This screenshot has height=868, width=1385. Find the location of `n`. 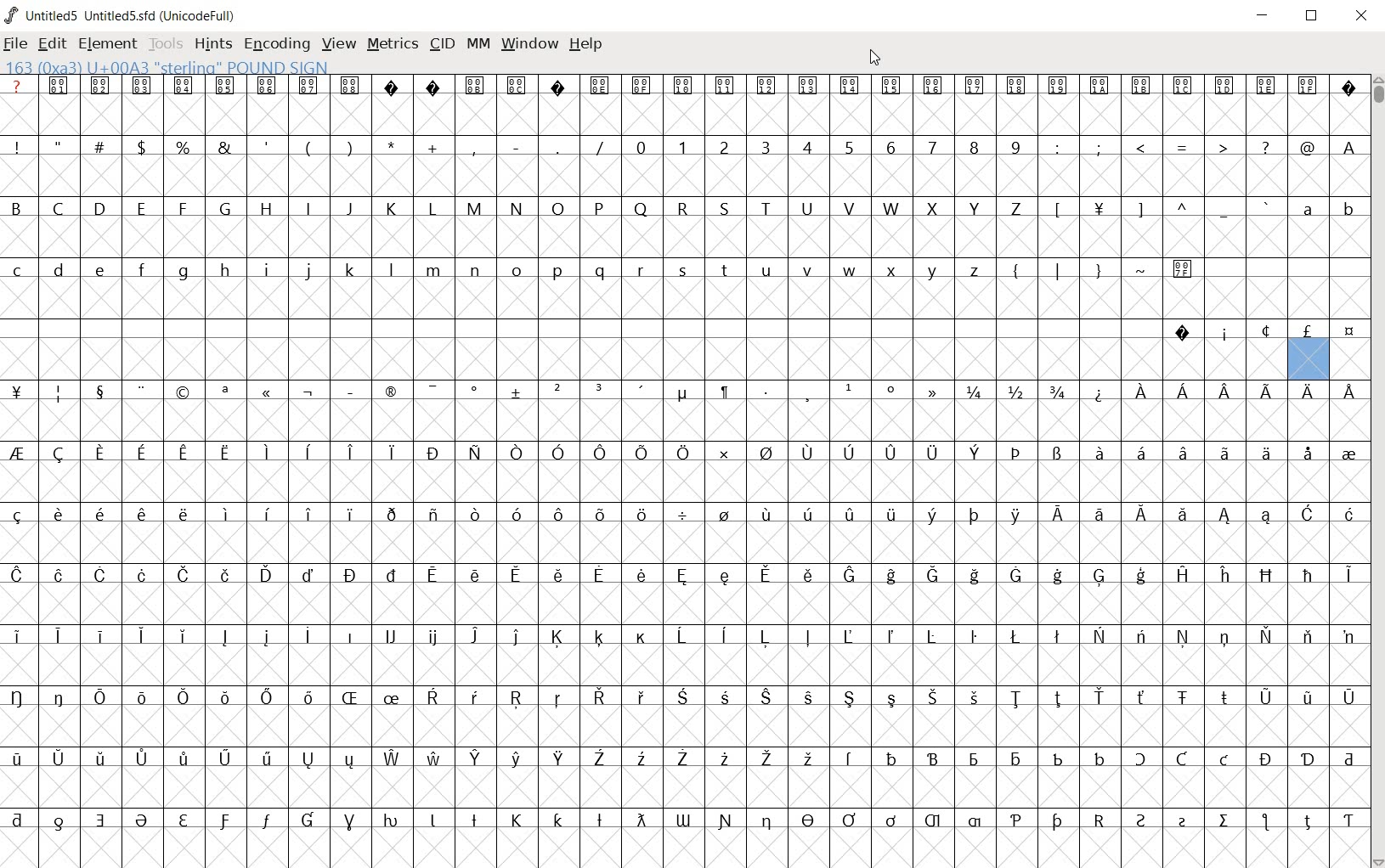

n is located at coordinates (476, 272).